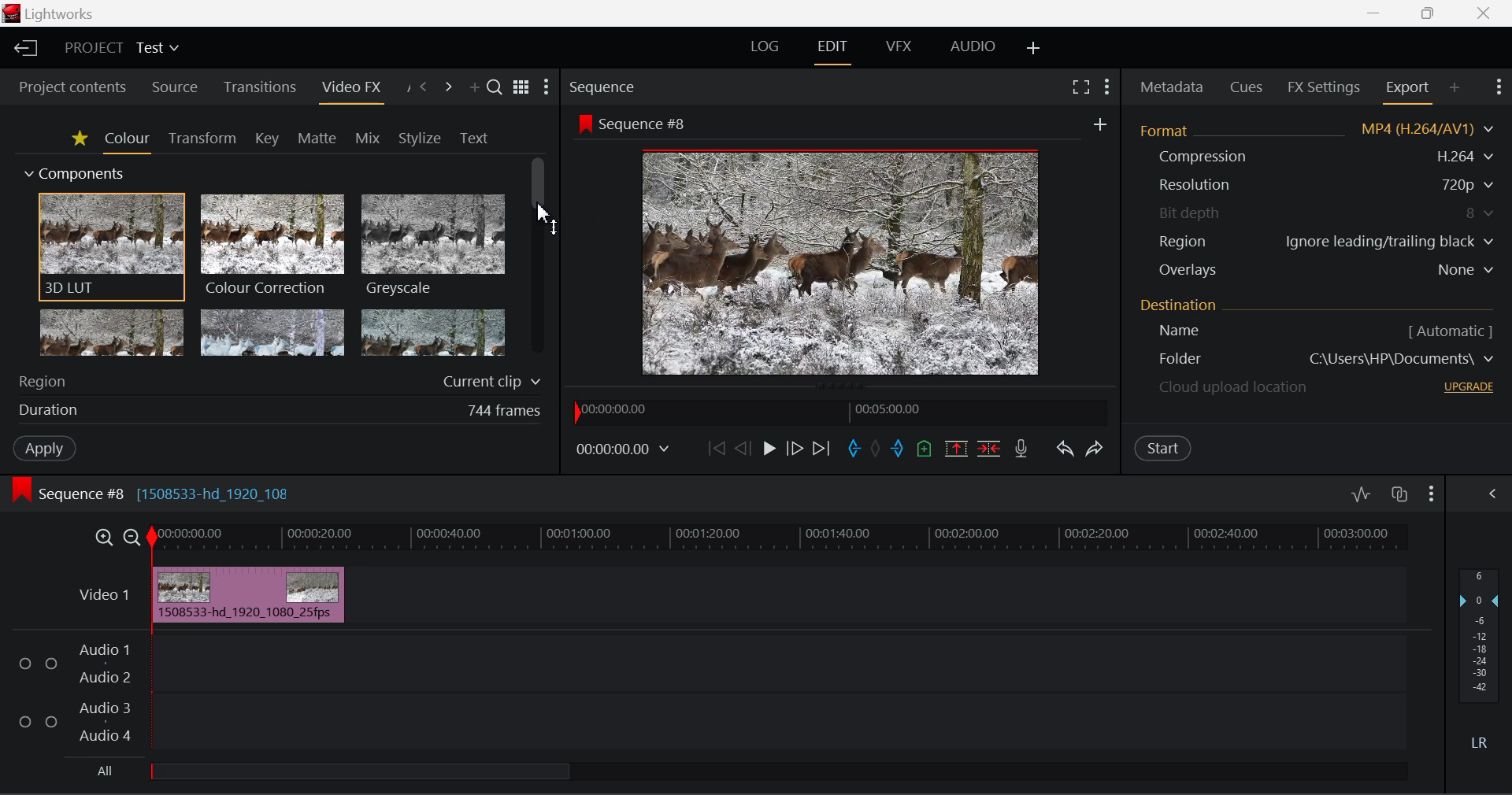 This screenshot has height=795, width=1512. Describe the element at coordinates (1374, 12) in the screenshot. I see `Restore Down` at that location.